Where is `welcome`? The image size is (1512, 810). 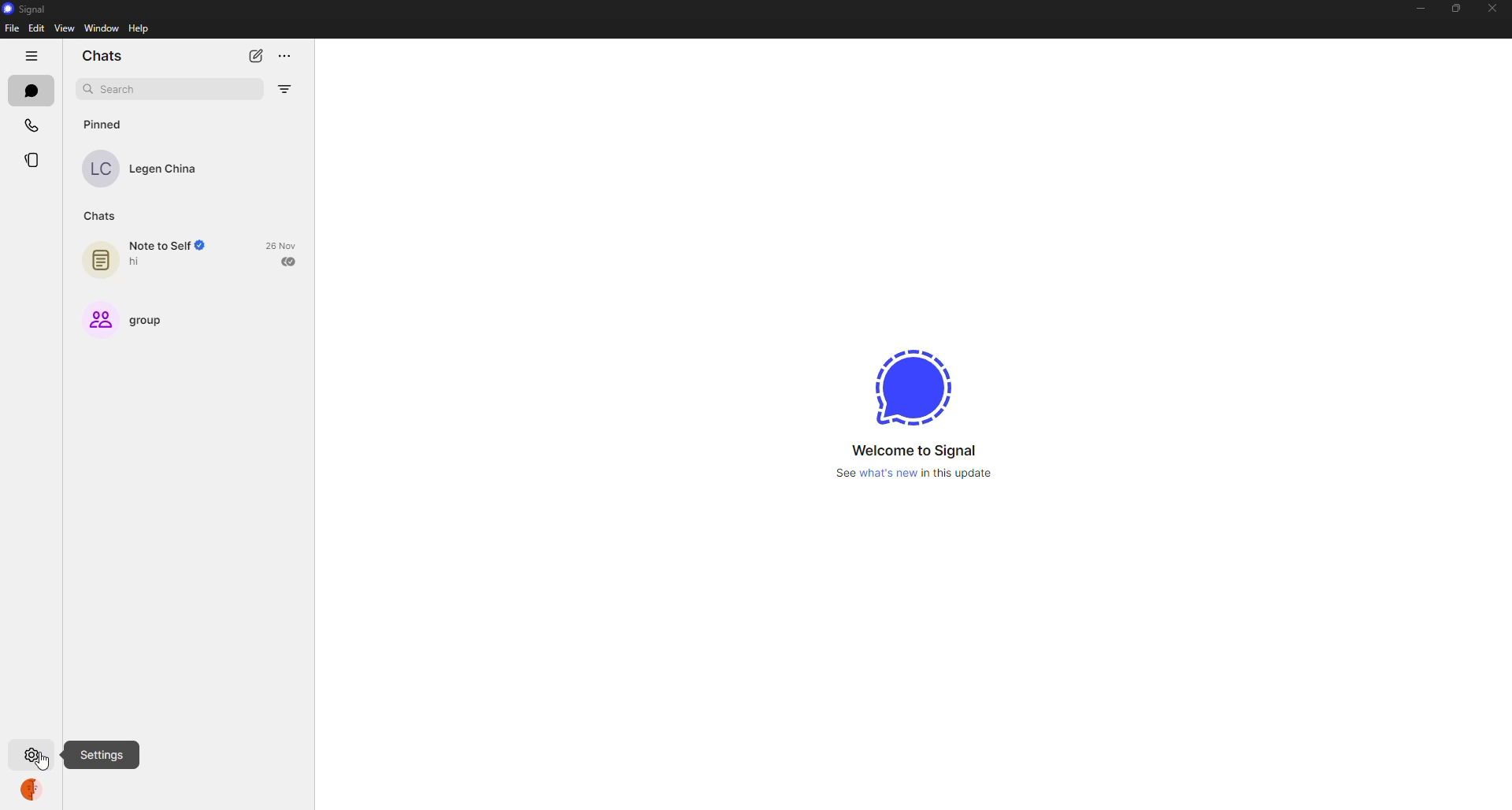
welcome is located at coordinates (918, 450).